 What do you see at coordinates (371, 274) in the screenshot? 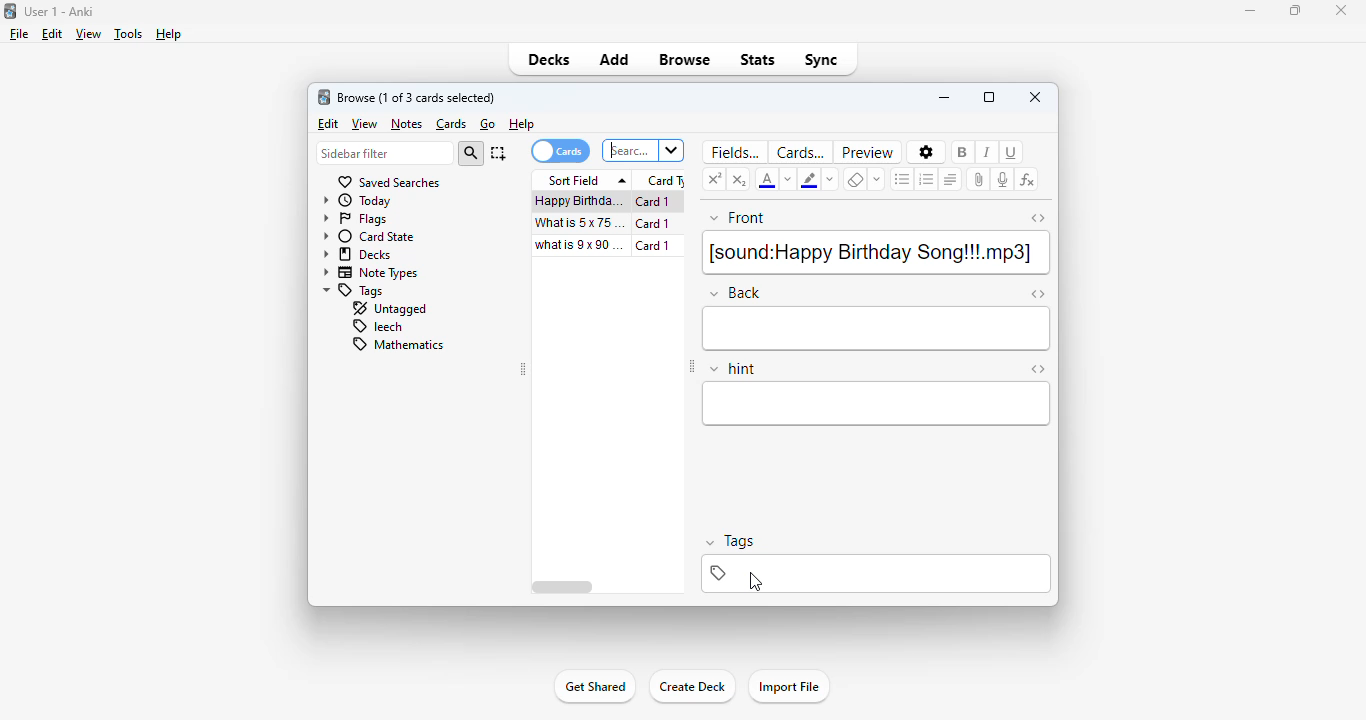
I see `note types` at bounding box center [371, 274].